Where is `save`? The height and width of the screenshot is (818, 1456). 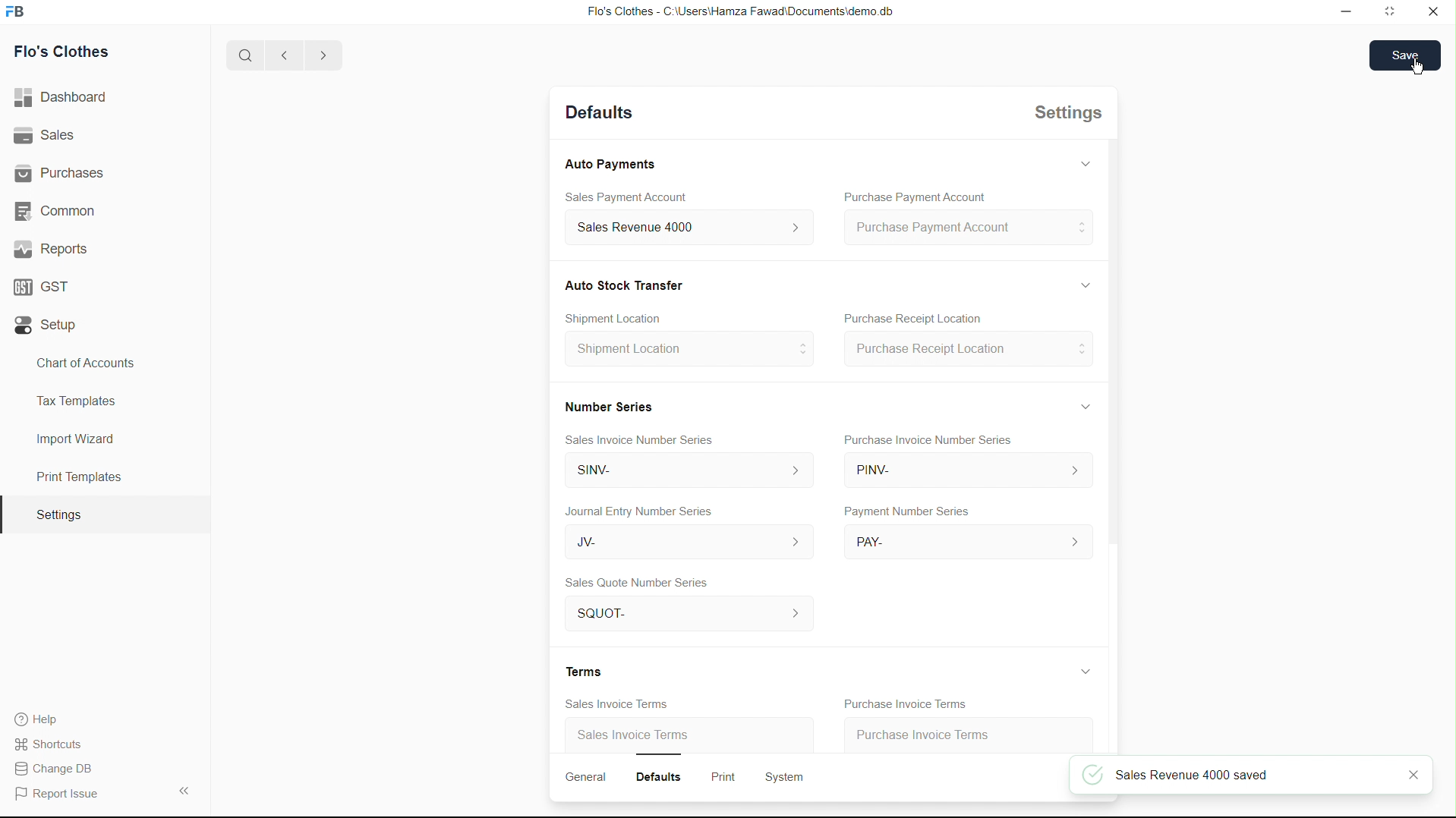
save is located at coordinates (1406, 55).